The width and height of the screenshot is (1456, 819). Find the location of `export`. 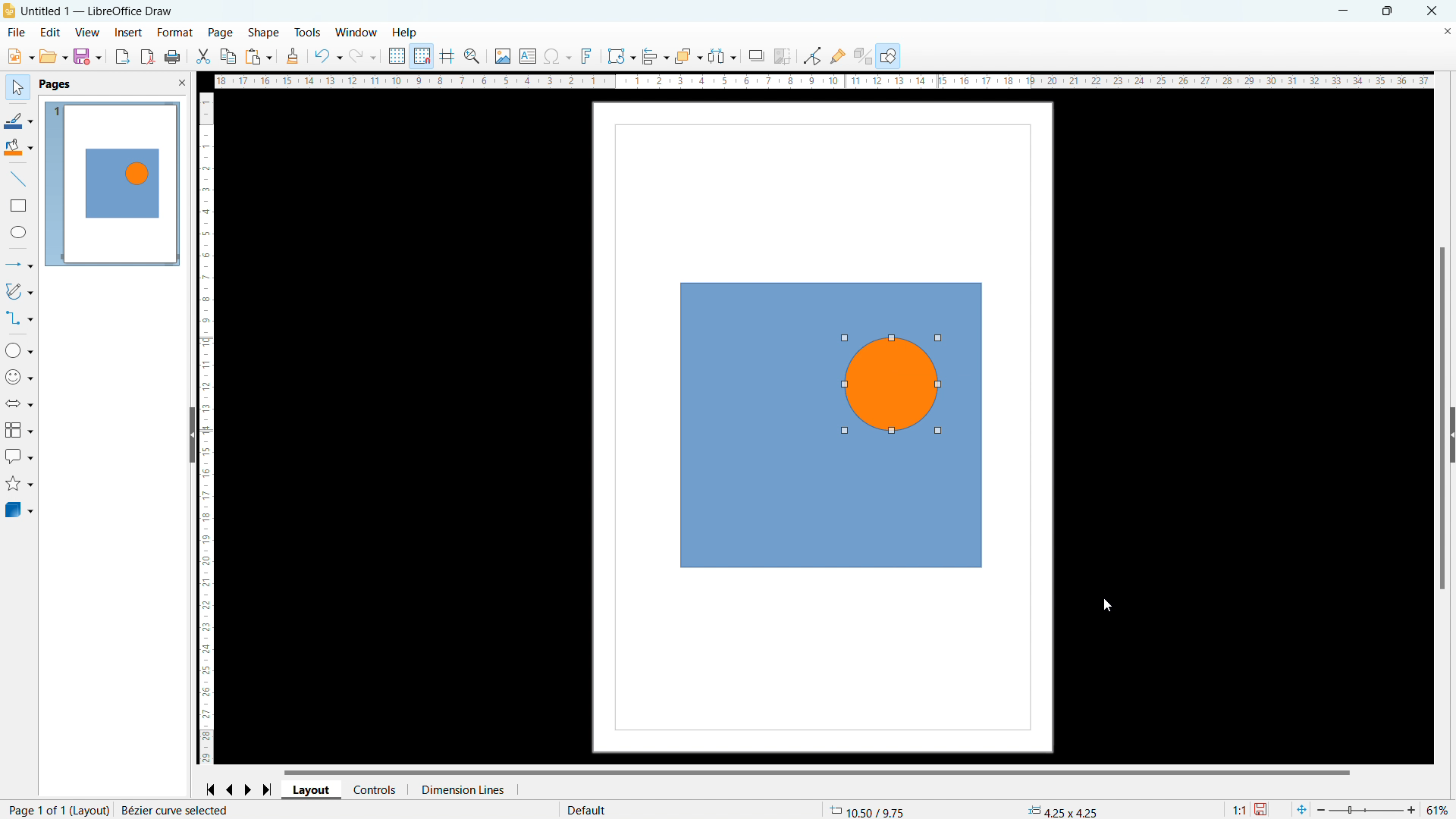

export is located at coordinates (123, 57).